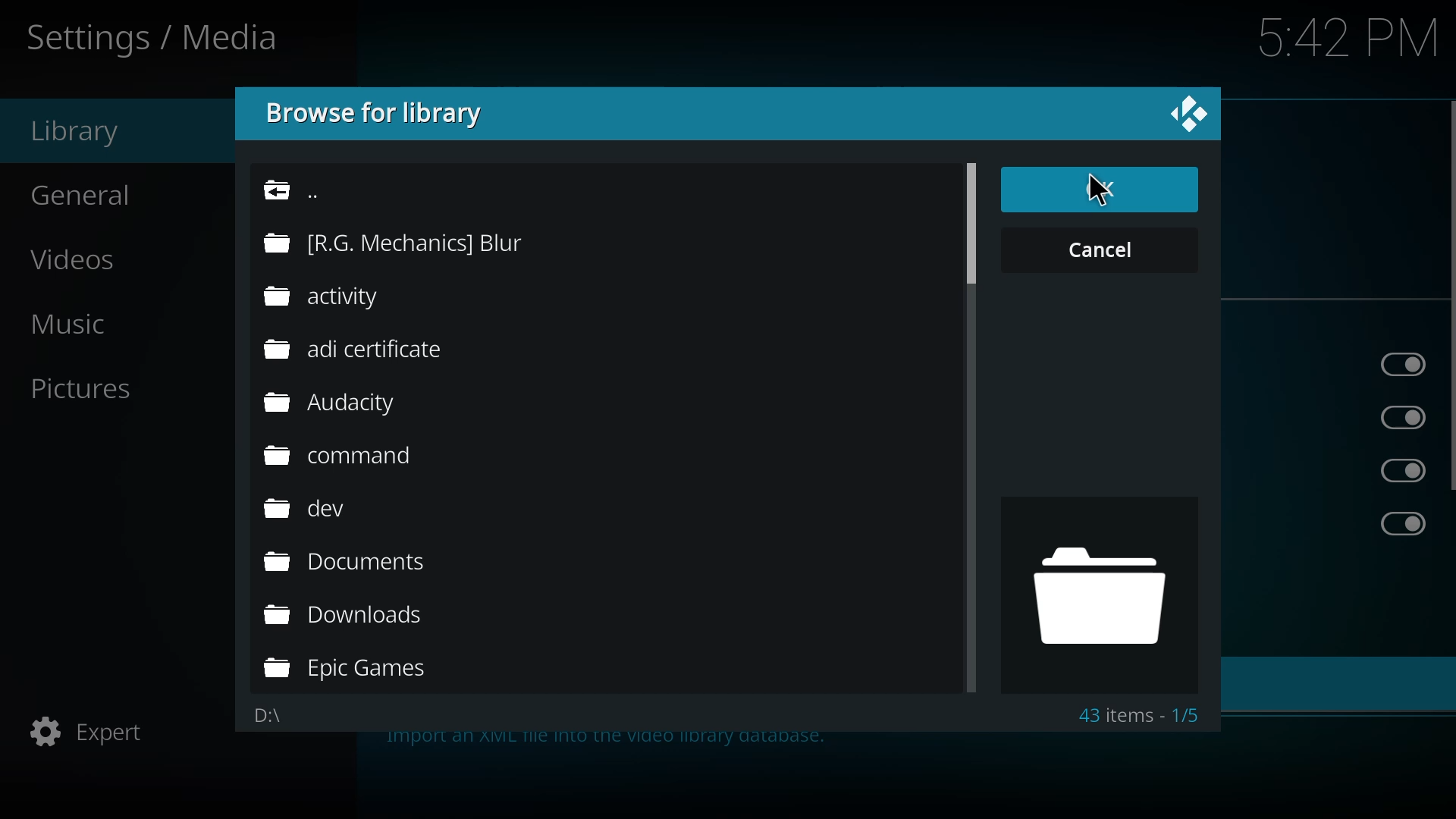 Image resolution: width=1456 pixels, height=819 pixels. What do you see at coordinates (338, 297) in the screenshot?
I see `folder` at bounding box center [338, 297].